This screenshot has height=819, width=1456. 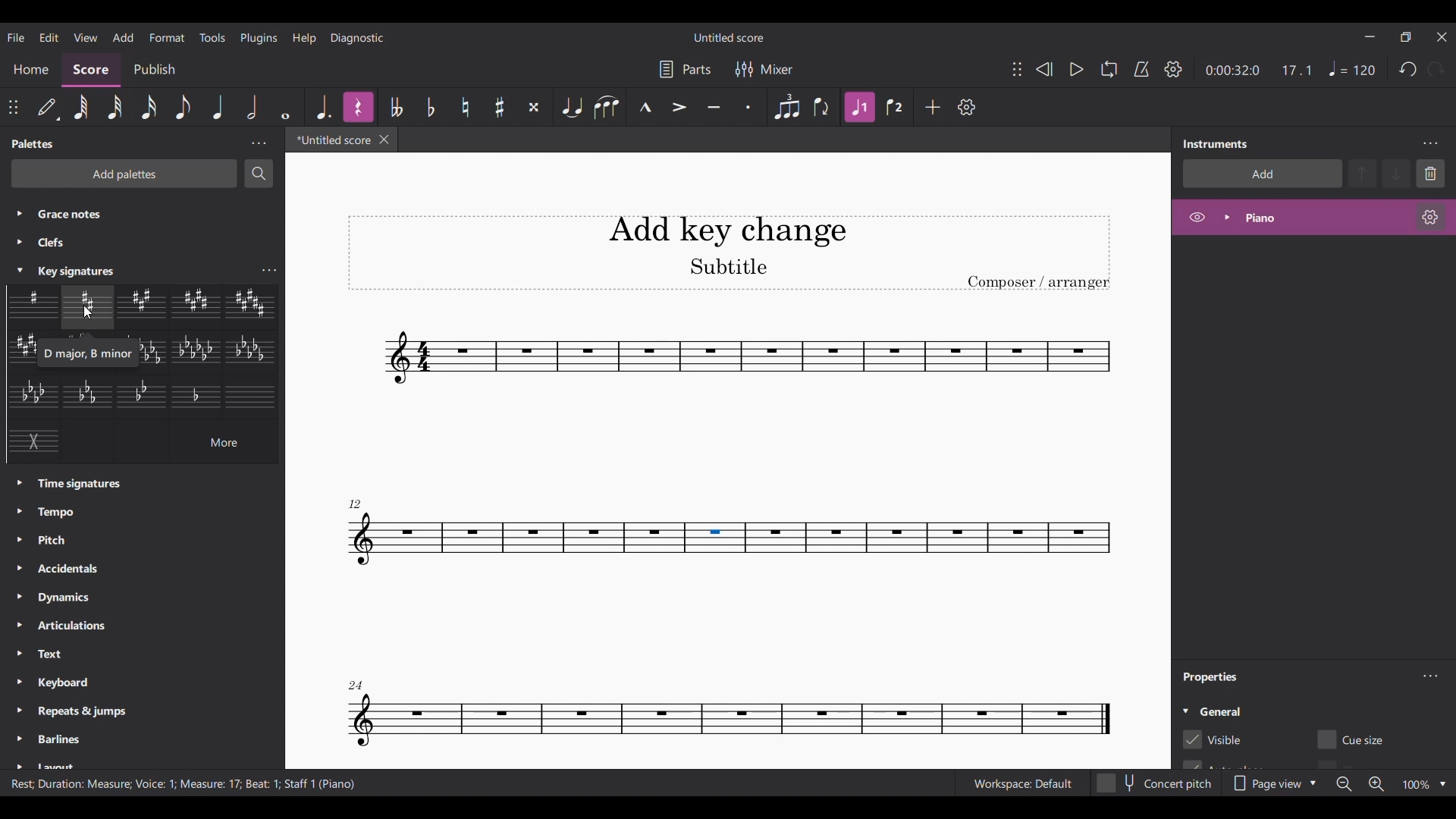 What do you see at coordinates (1407, 68) in the screenshot?
I see `Undo` at bounding box center [1407, 68].